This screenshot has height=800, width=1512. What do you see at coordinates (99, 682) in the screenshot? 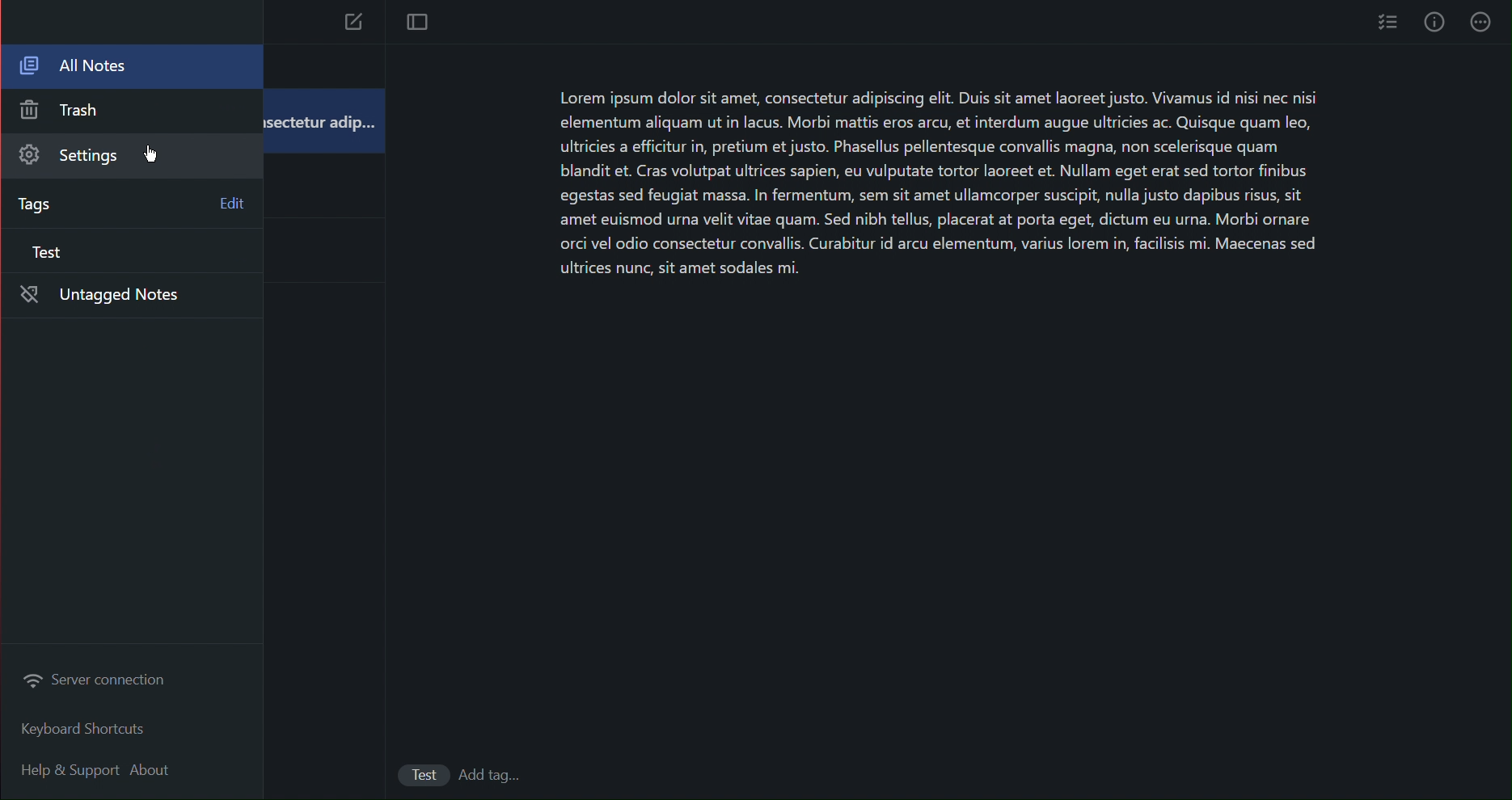
I see `Server connnection` at bounding box center [99, 682].